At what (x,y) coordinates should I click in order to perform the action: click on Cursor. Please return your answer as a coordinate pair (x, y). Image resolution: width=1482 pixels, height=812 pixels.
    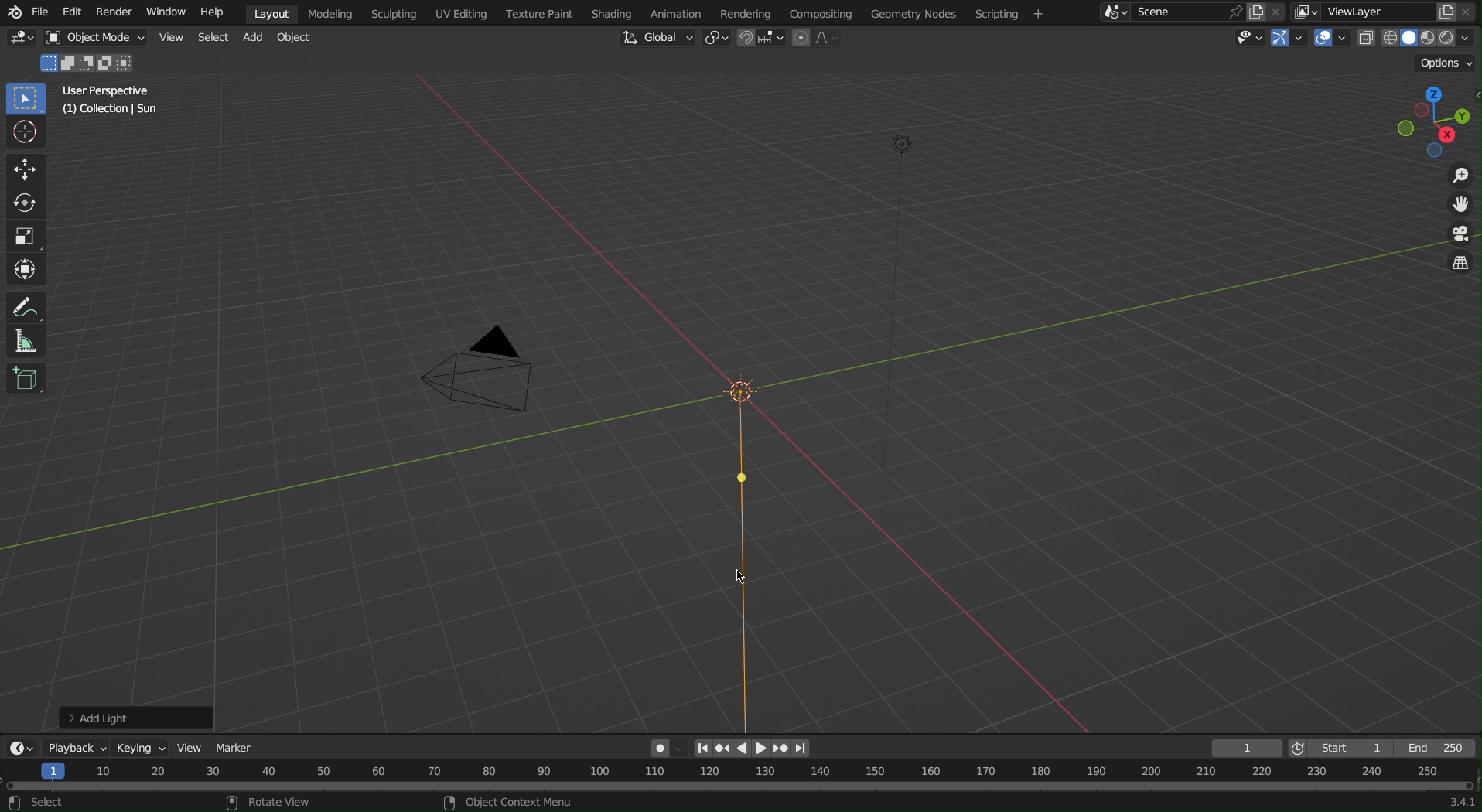
    Looking at the image, I should click on (744, 577).